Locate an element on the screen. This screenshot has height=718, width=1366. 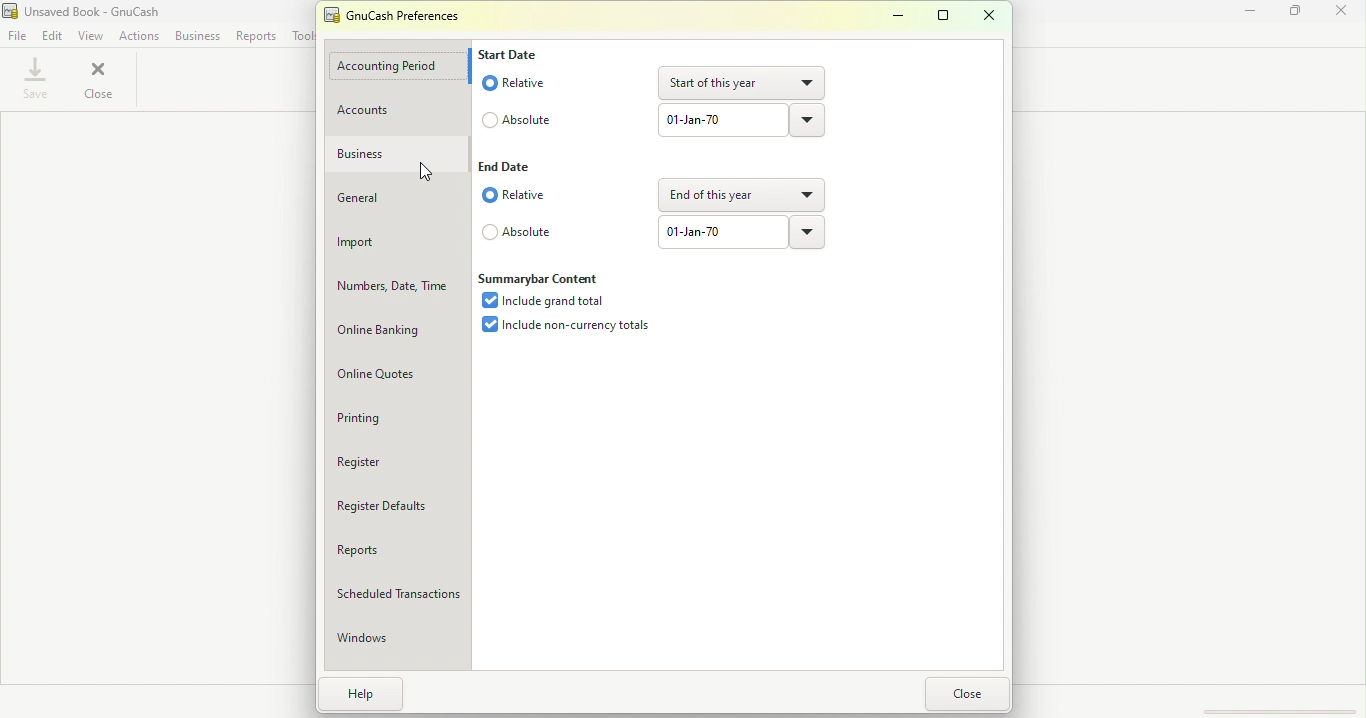
Text box is located at coordinates (724, 120).